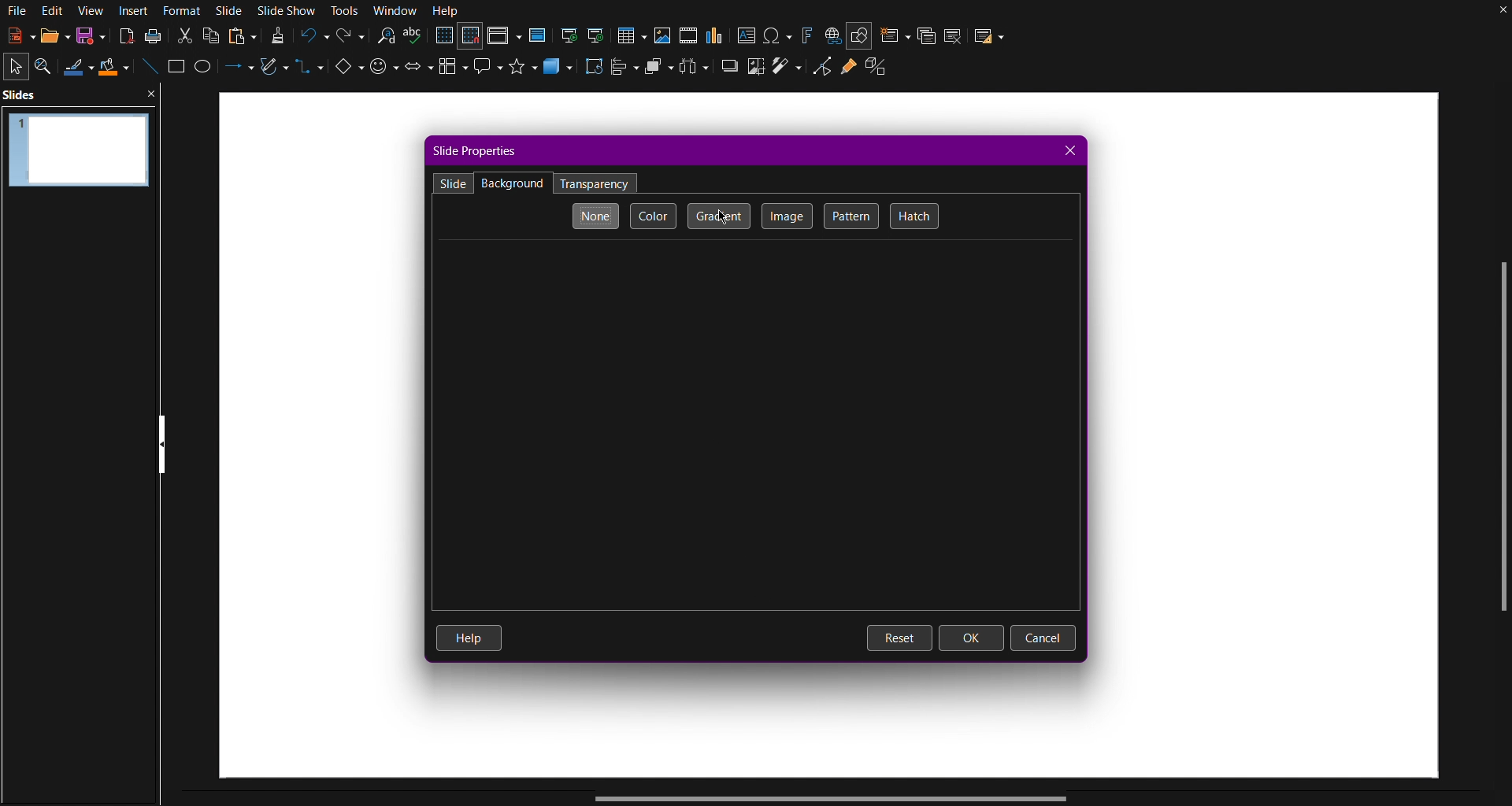 This screenshot has width=1512, height=806. Describe the element at coordinates (595, 71) in the screenshot. I see `Transformation` at that location.